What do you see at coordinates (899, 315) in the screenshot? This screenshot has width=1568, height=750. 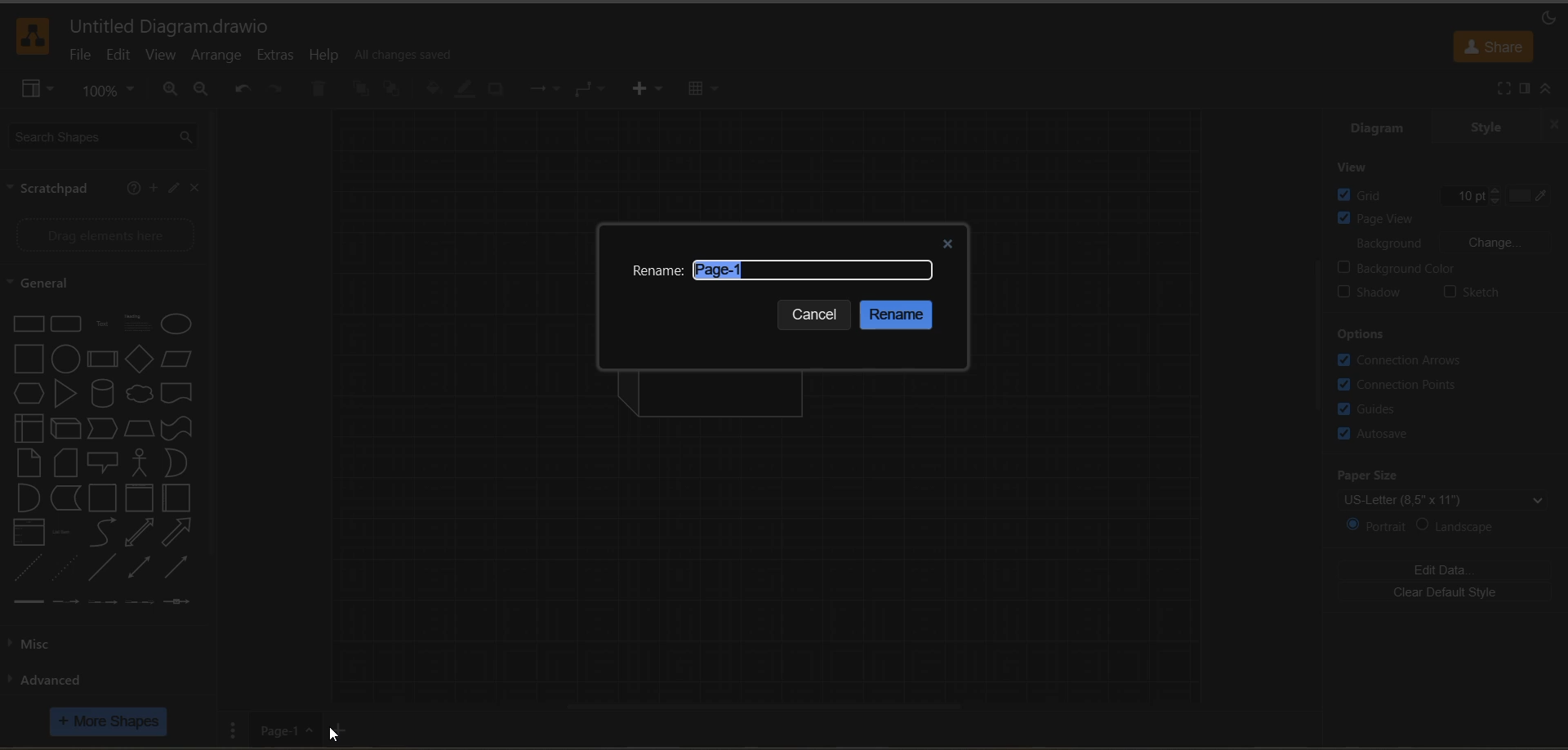 I see `rename` at bounding box center [899, 315].